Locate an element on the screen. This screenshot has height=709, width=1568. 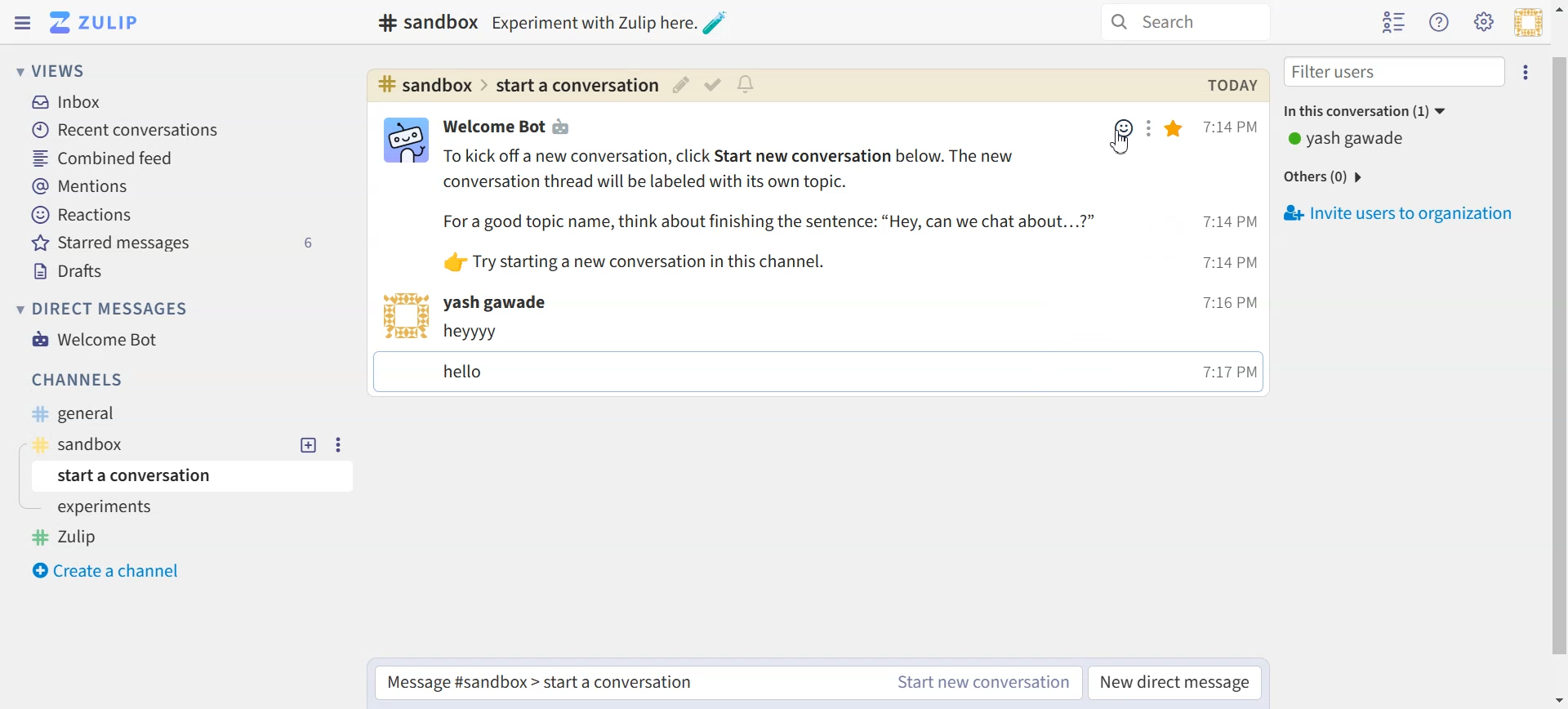
Settings is located at coordinates (1527, 70).